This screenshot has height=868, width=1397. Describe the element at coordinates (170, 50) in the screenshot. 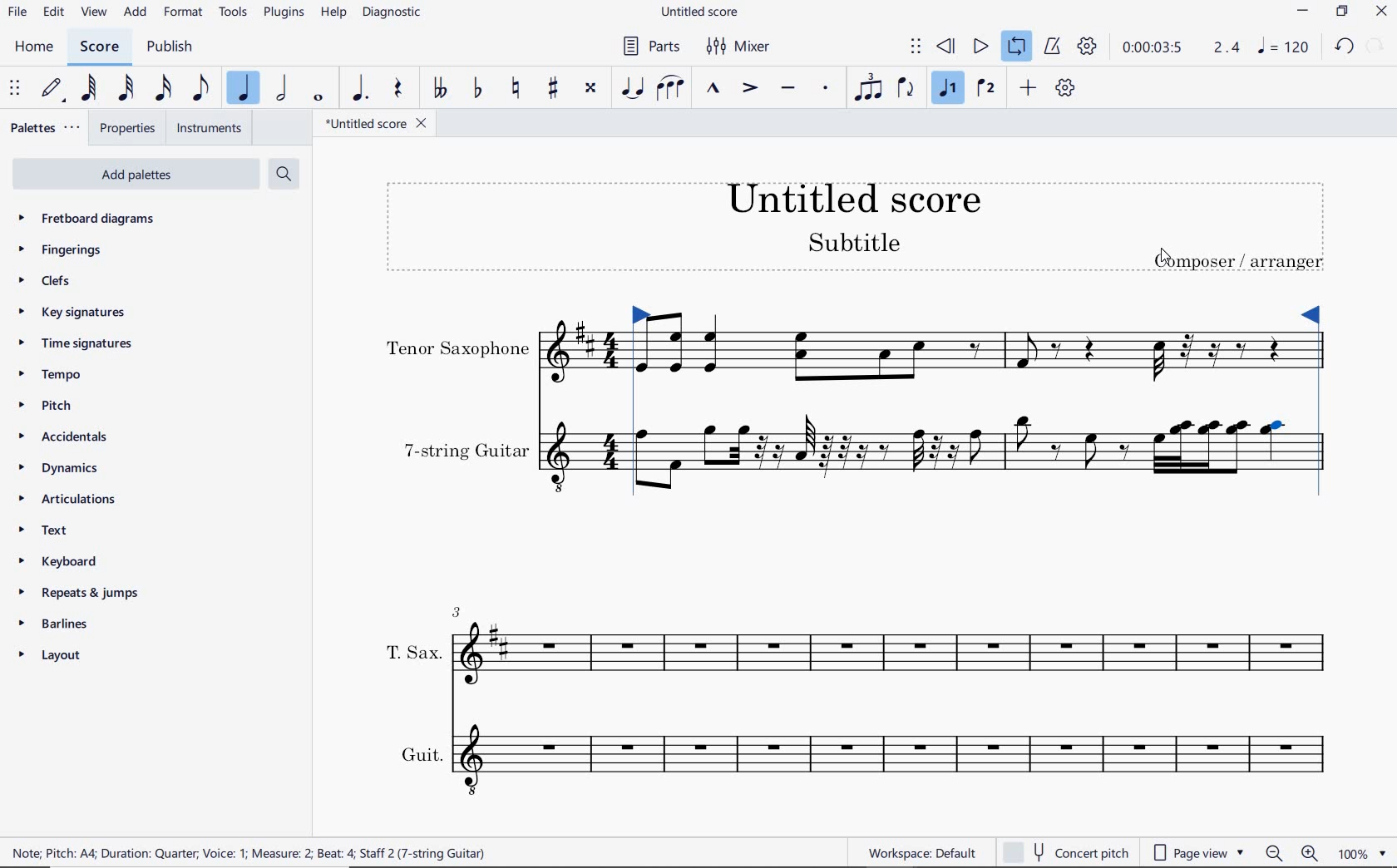

I see `PUBLISH` at that location.